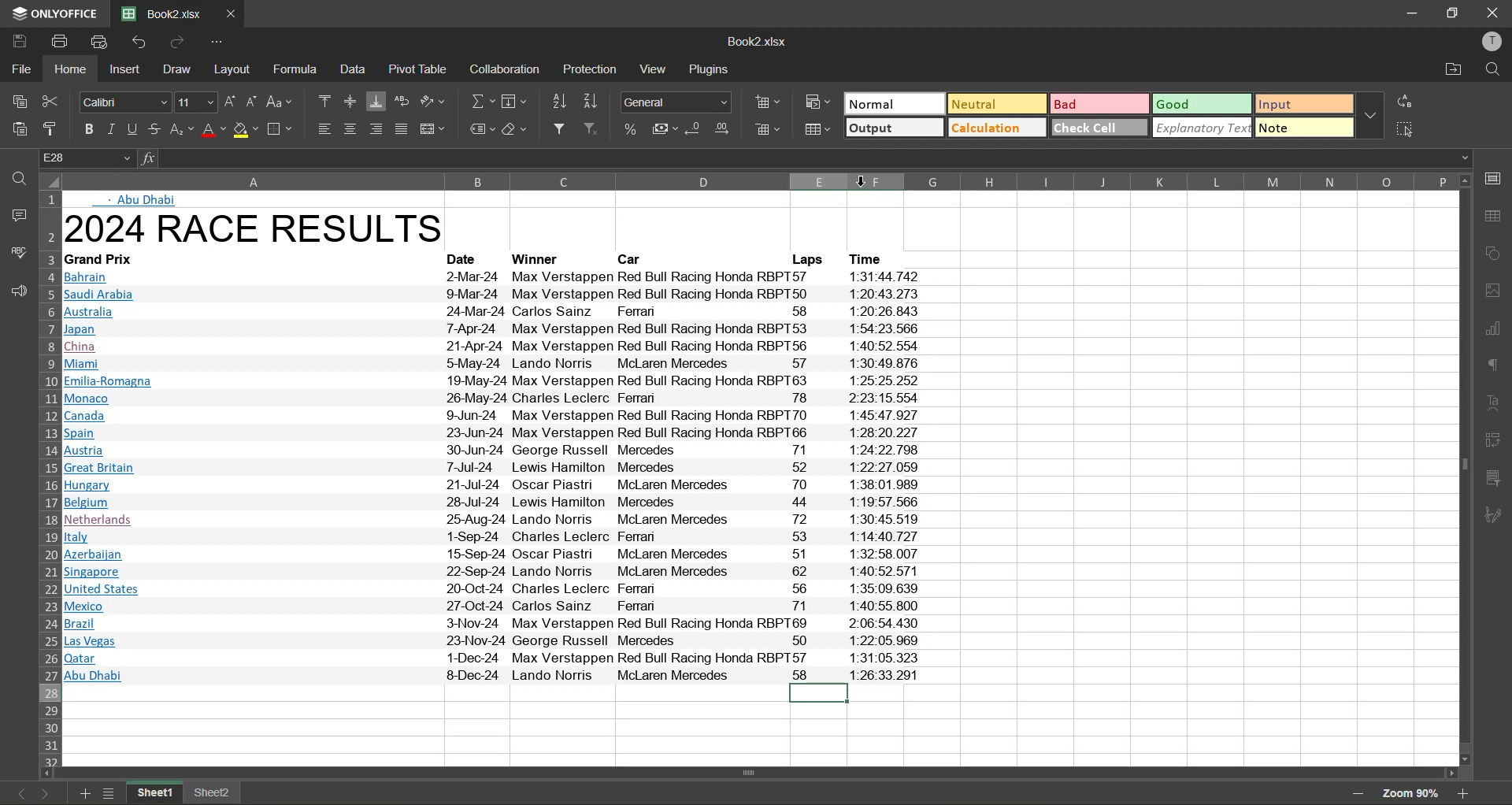  What do you see at coordinates (1466, 760) in the screenshot?
I see `move down` at bounding box center [1466, 760].